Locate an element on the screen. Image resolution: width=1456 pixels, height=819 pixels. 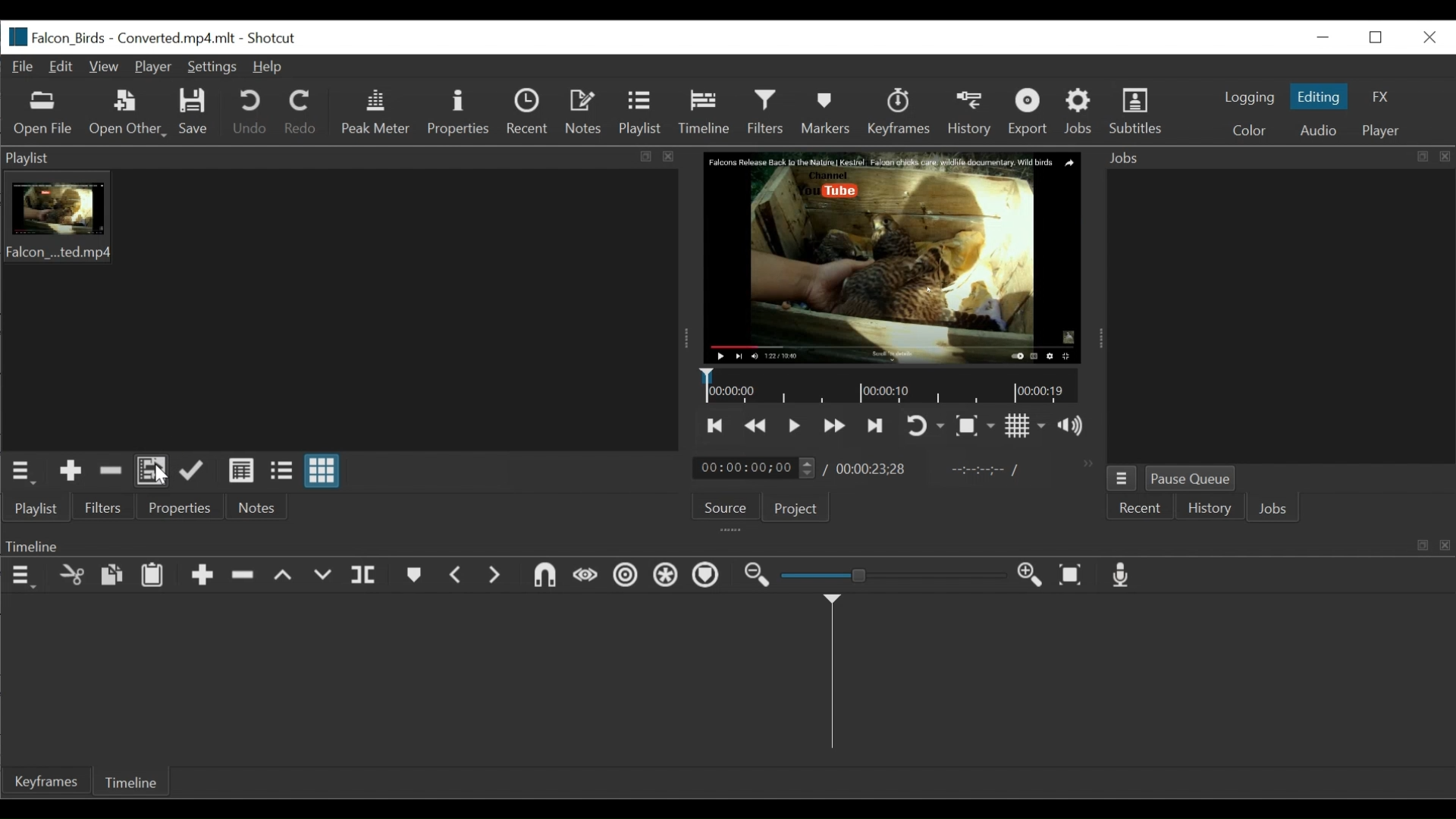
Jobs Menu is located at coordinates (1122, 479).